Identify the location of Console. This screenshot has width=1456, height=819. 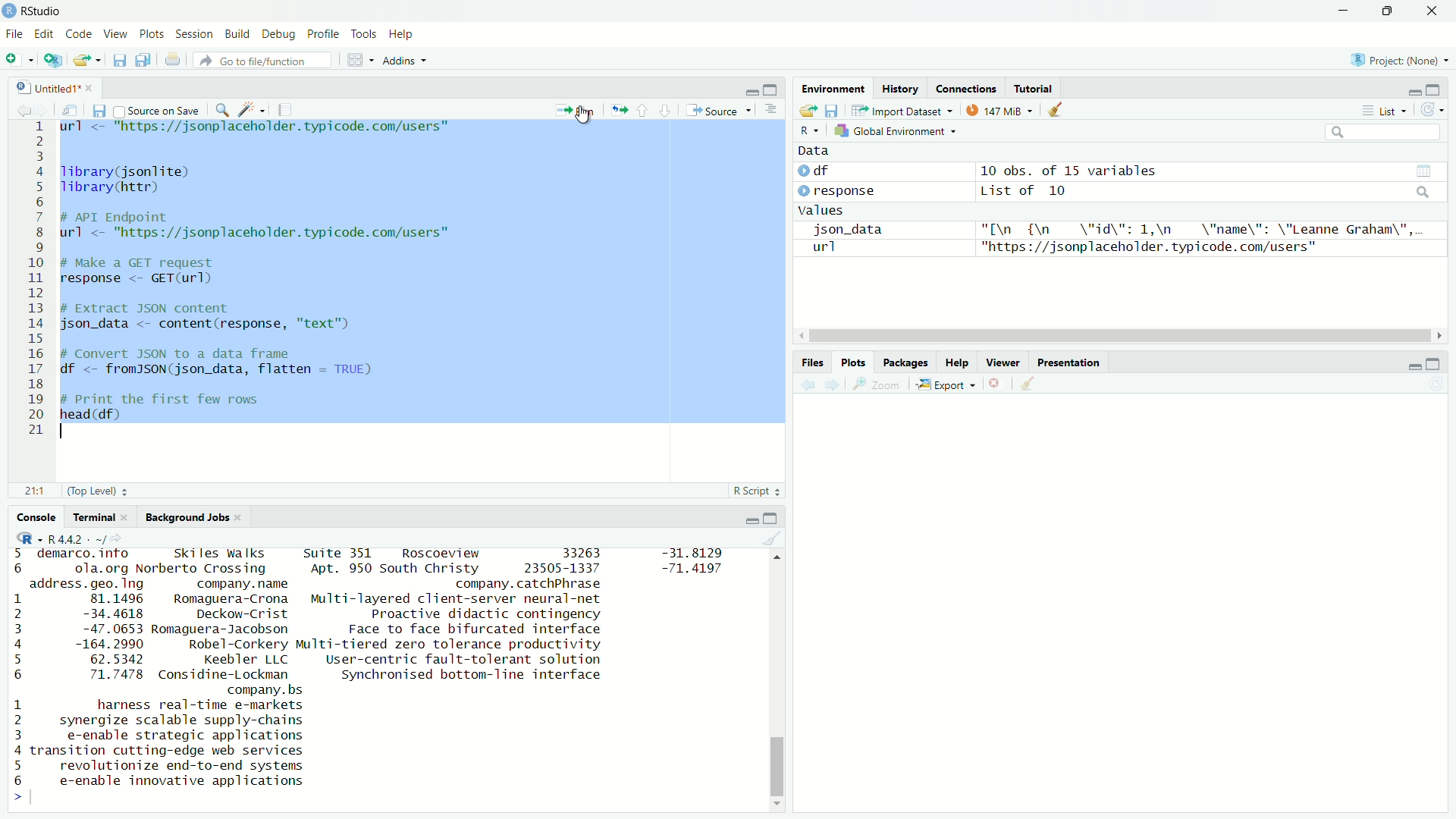
(38, 519).